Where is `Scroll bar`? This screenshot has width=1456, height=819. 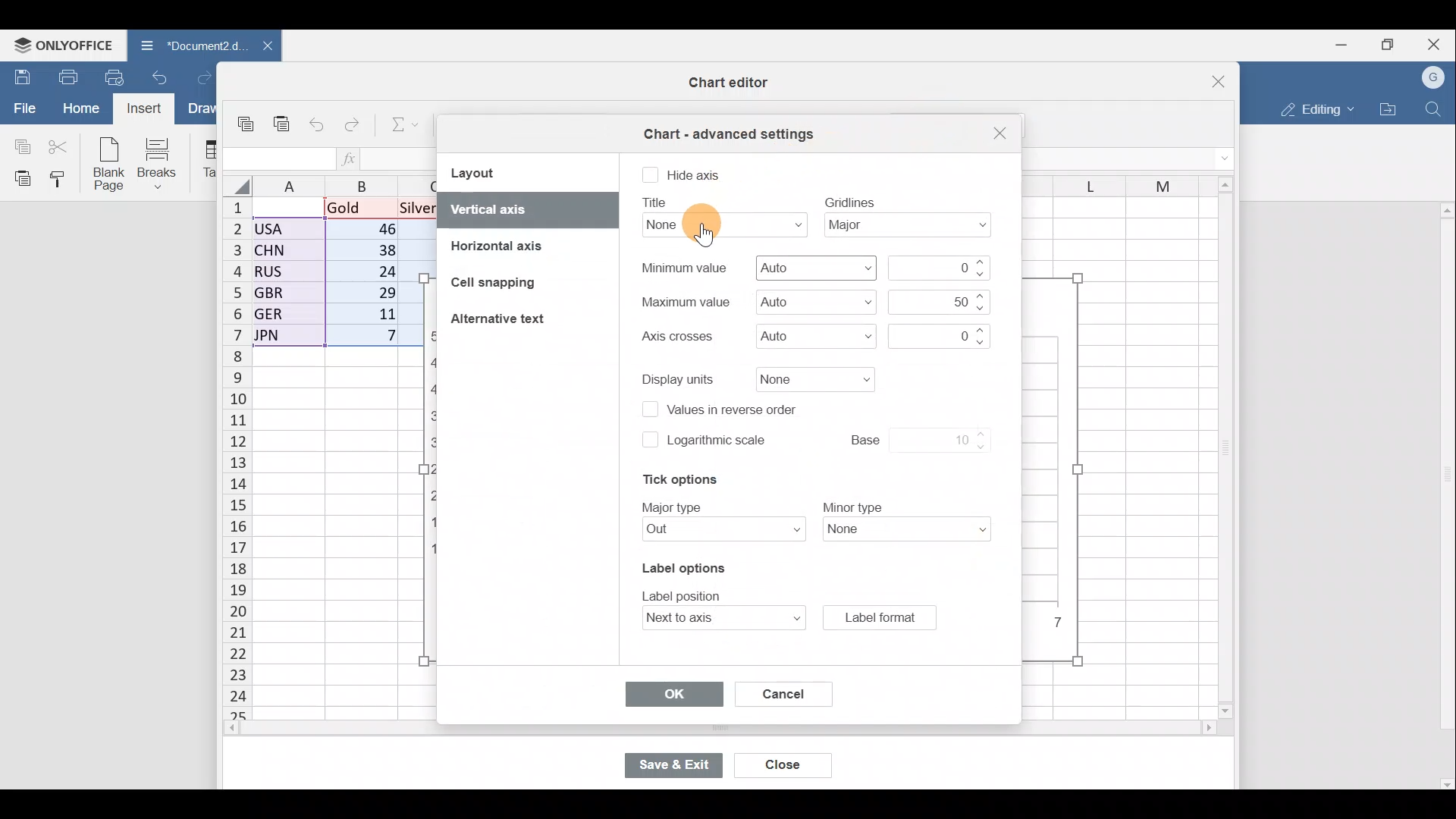 Scroll bar is located at coordinates (1220, 449).